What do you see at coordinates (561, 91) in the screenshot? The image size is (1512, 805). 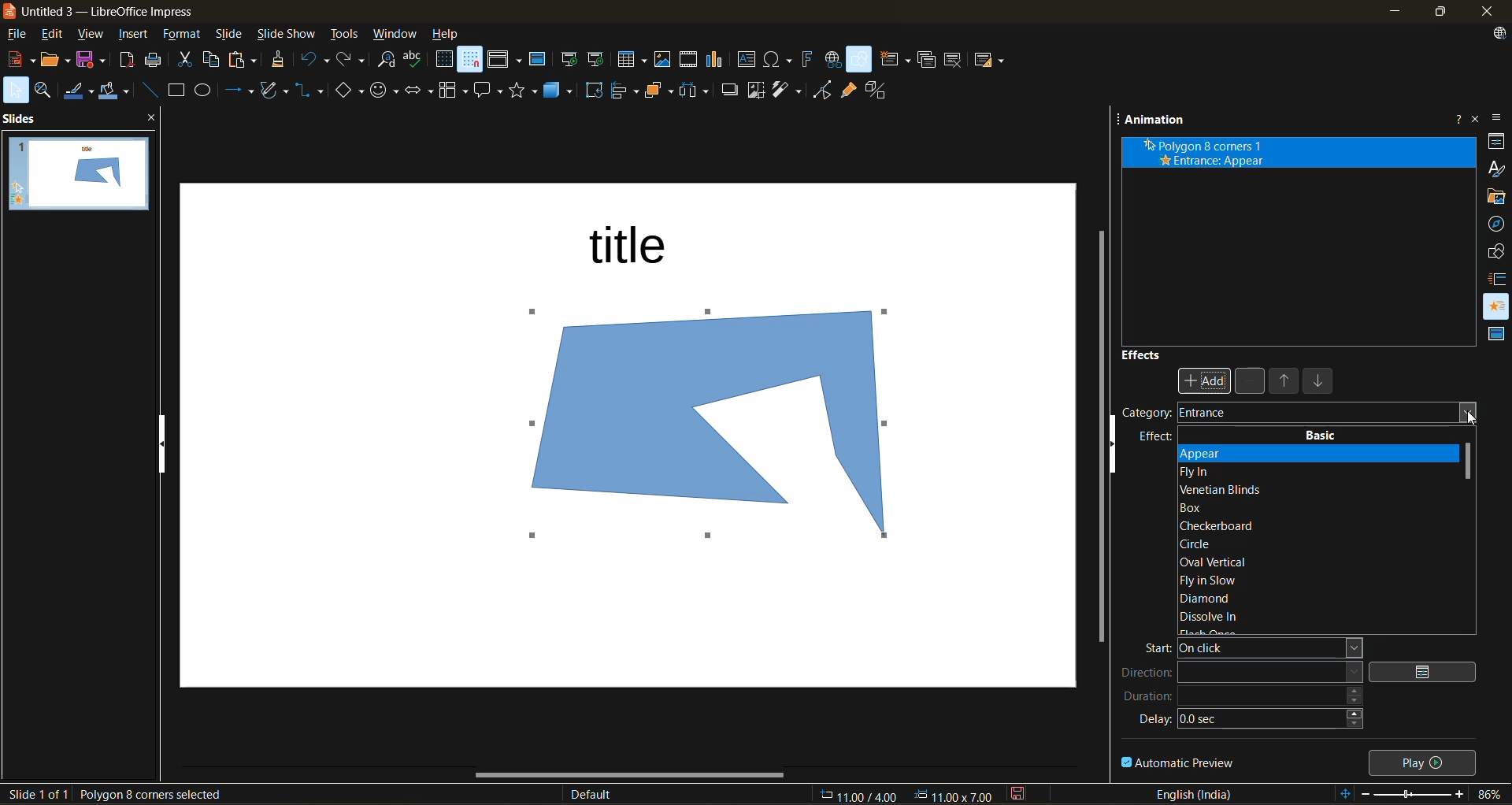 I see `3d objects` at bounding box center [561, 91].